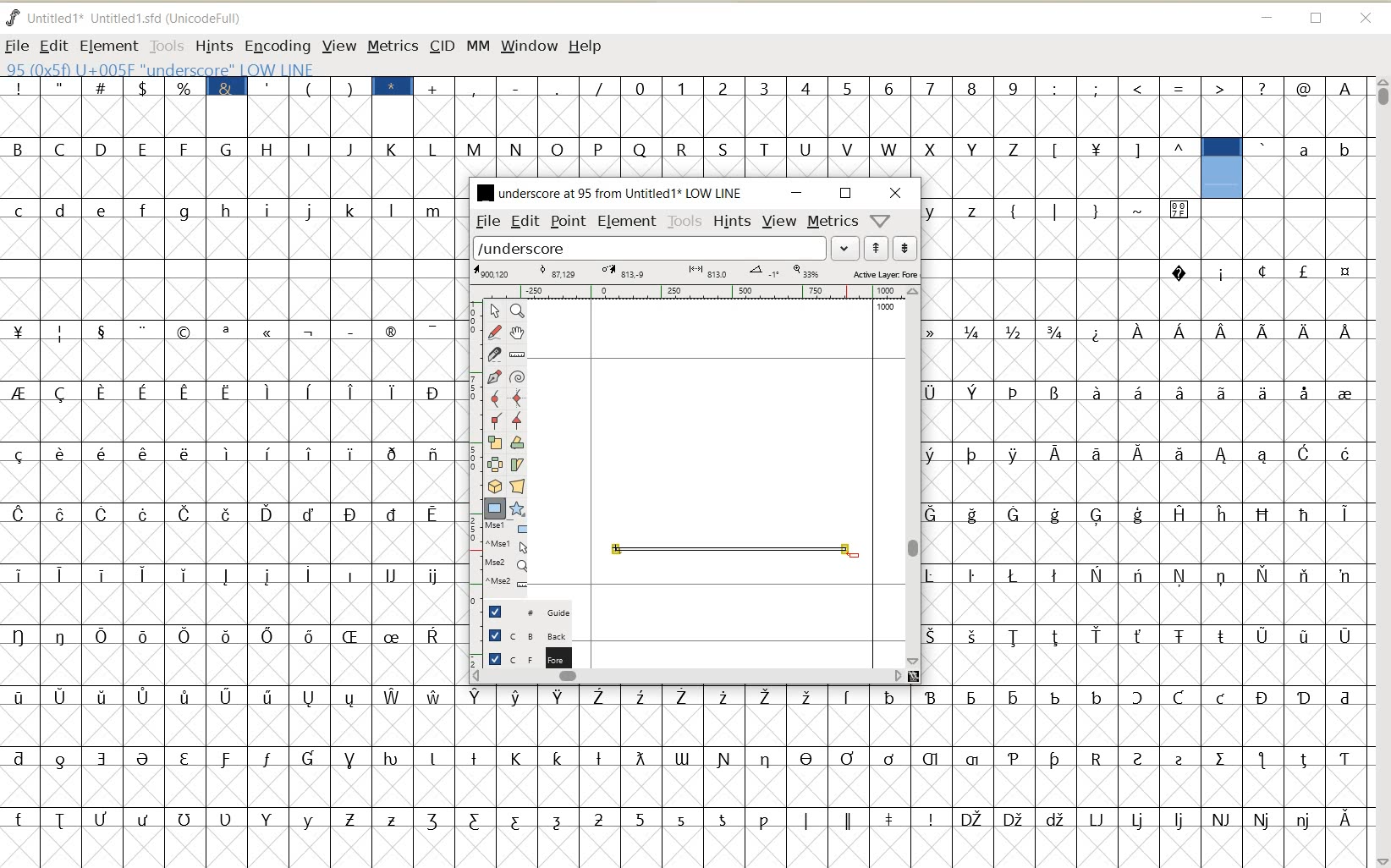 This screenshot has height=868, width=1391. What do you see at coordinates (685, 222) in the screenshot?
I see `TOOLS` at bounding box center [685, 222].